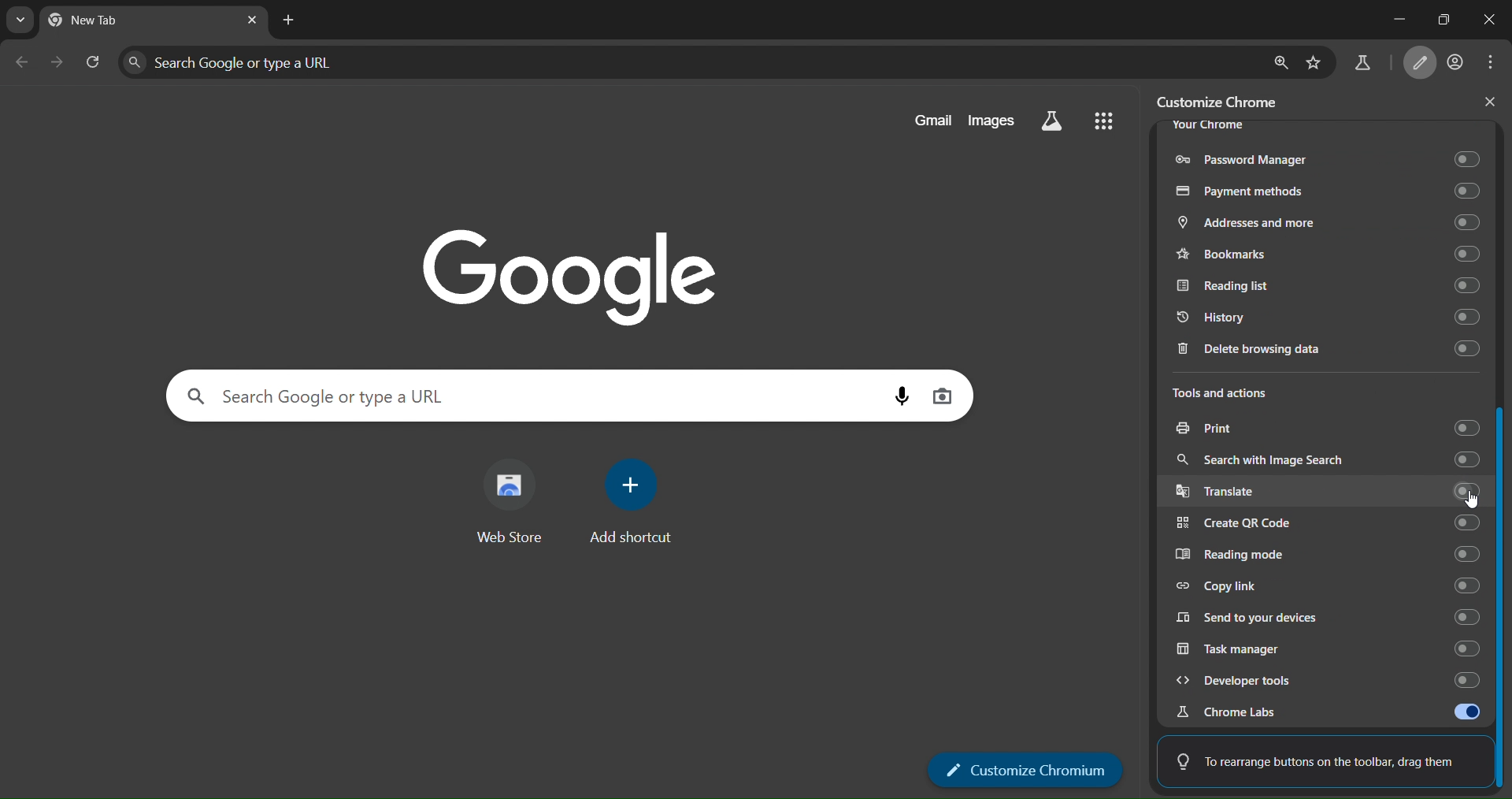  Describe the element at coordinates (1421, 62) in the screenshot. I see `customize chromium` at that location.